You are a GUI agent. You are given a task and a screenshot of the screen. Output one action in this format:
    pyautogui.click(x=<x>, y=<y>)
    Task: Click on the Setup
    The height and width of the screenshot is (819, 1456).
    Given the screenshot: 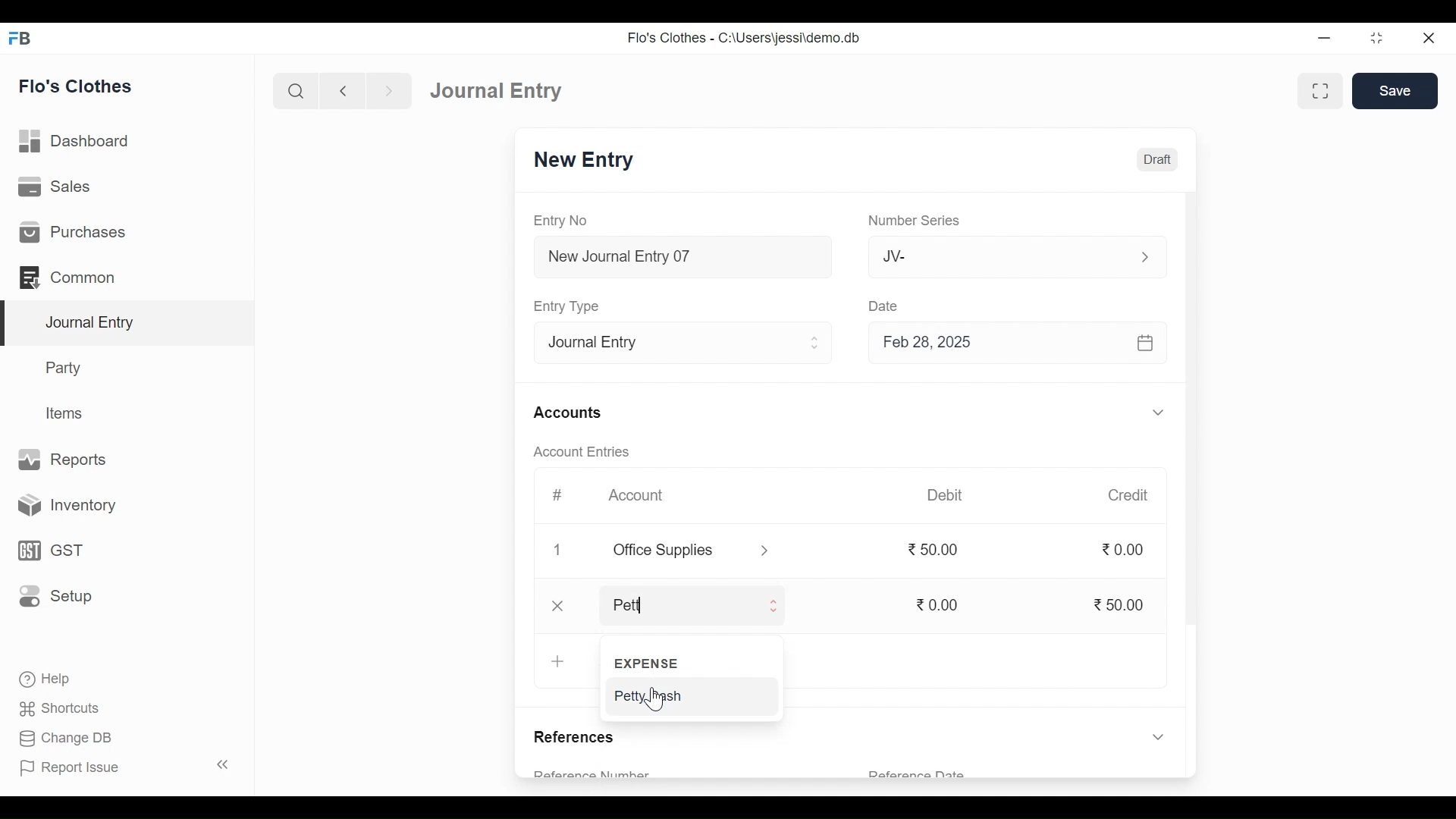 What is the action you would take?
    pyautogui.click(x=55, y=595)
    